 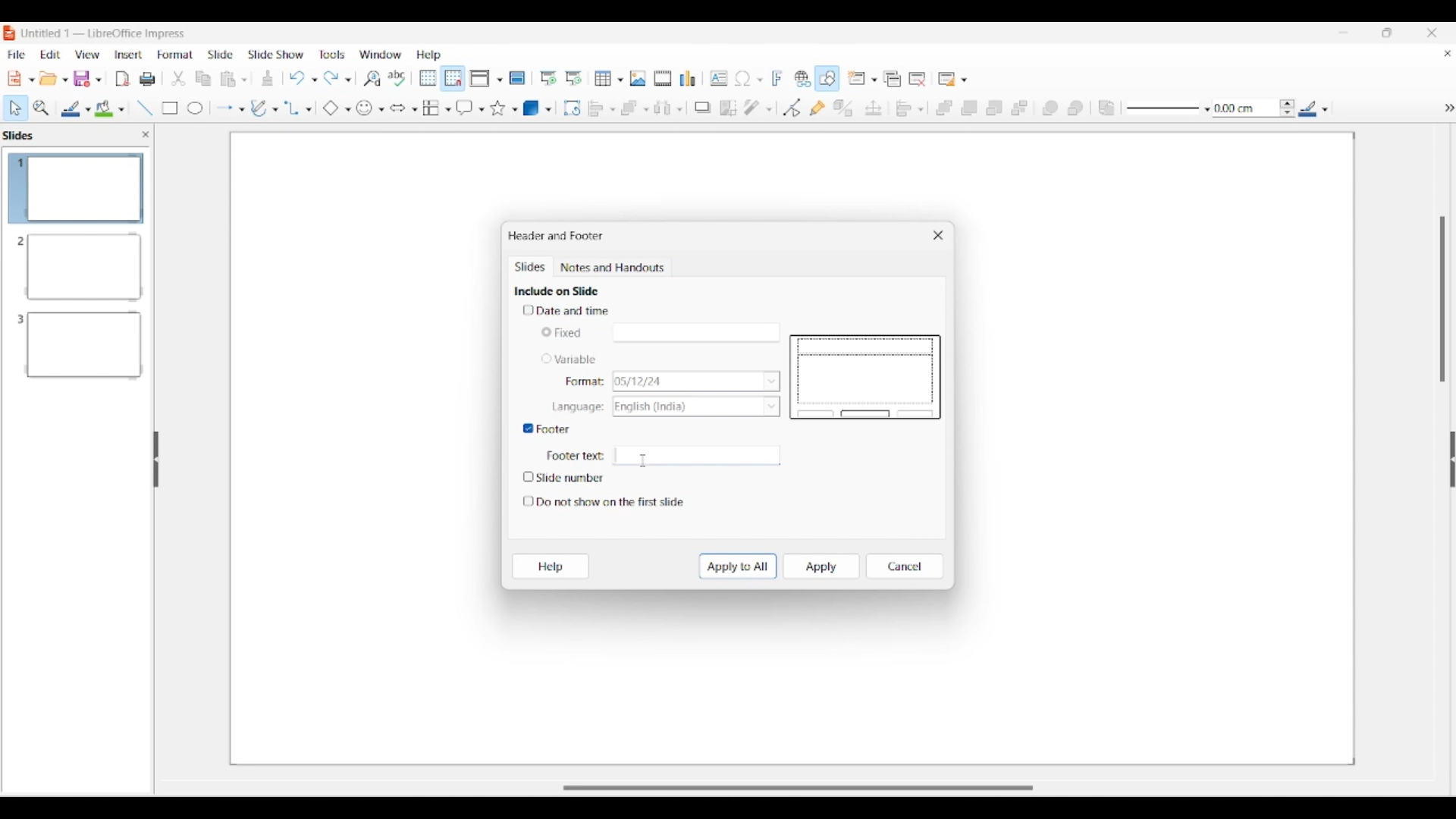 What do you see at coordinates (865, 378) in the screenshot?
I see `Slide preview` at bounding box center [865, 378].